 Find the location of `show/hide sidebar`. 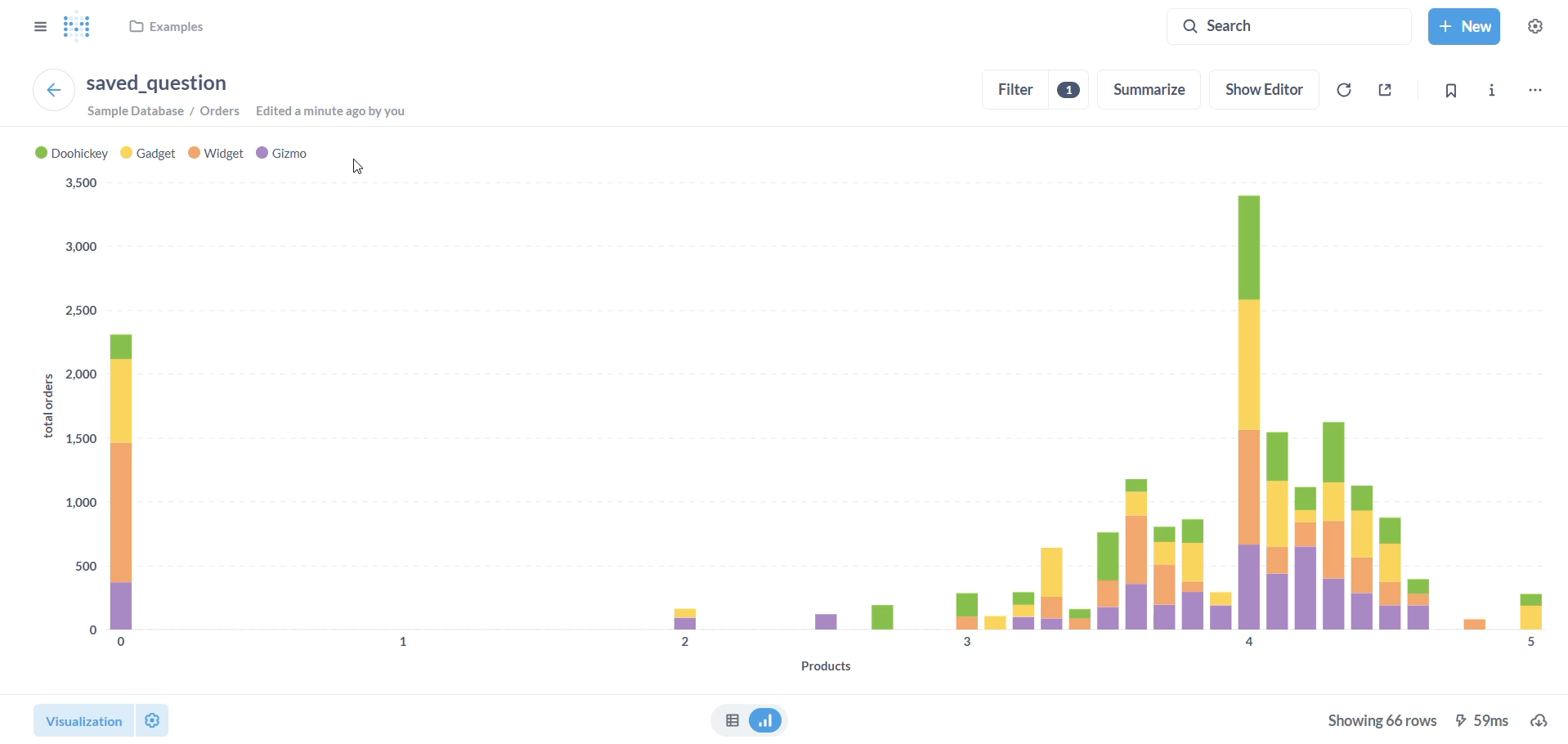

show/hide sidebar is located at coordinates (43, 31).